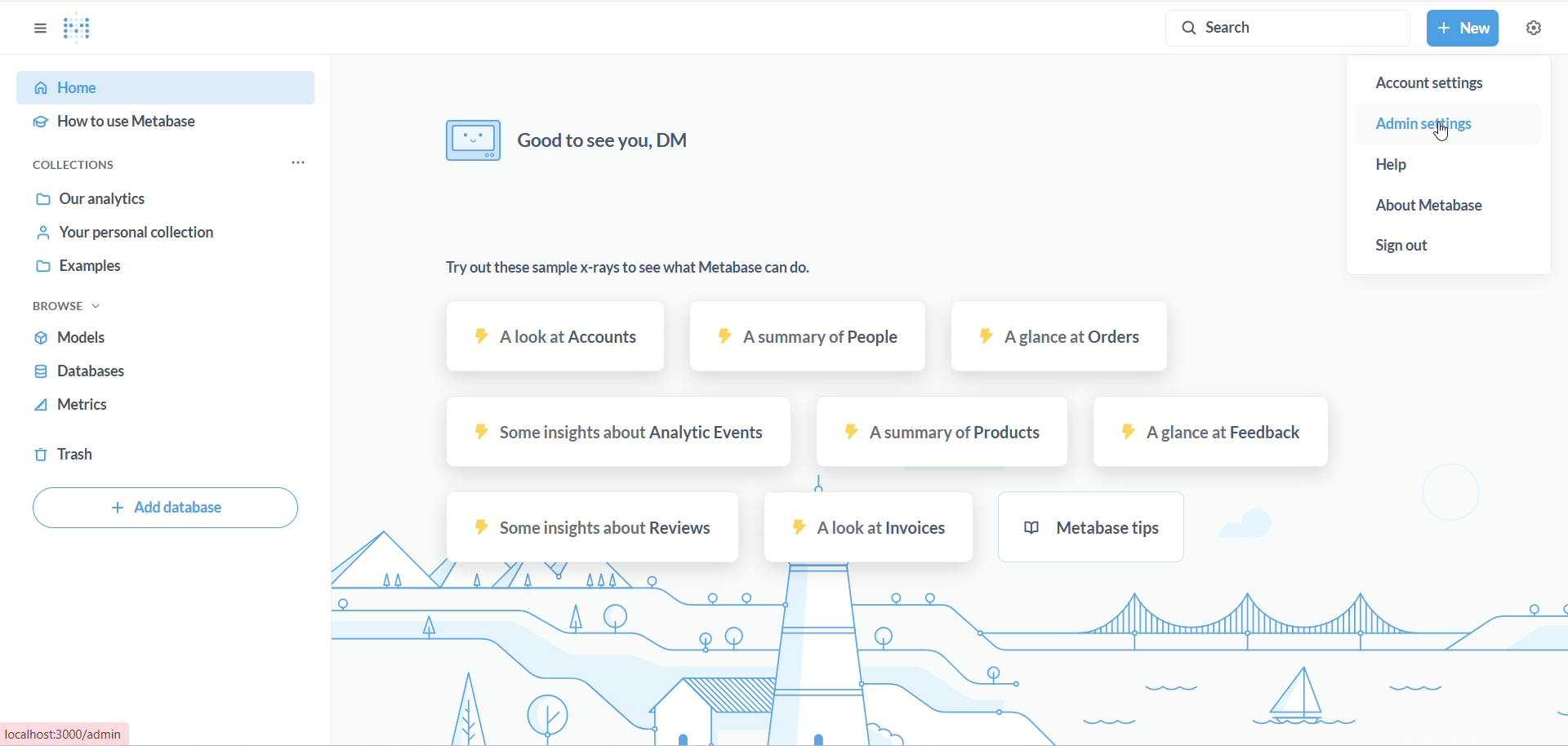  I want to click on a look at accounts, so click(561, 337).